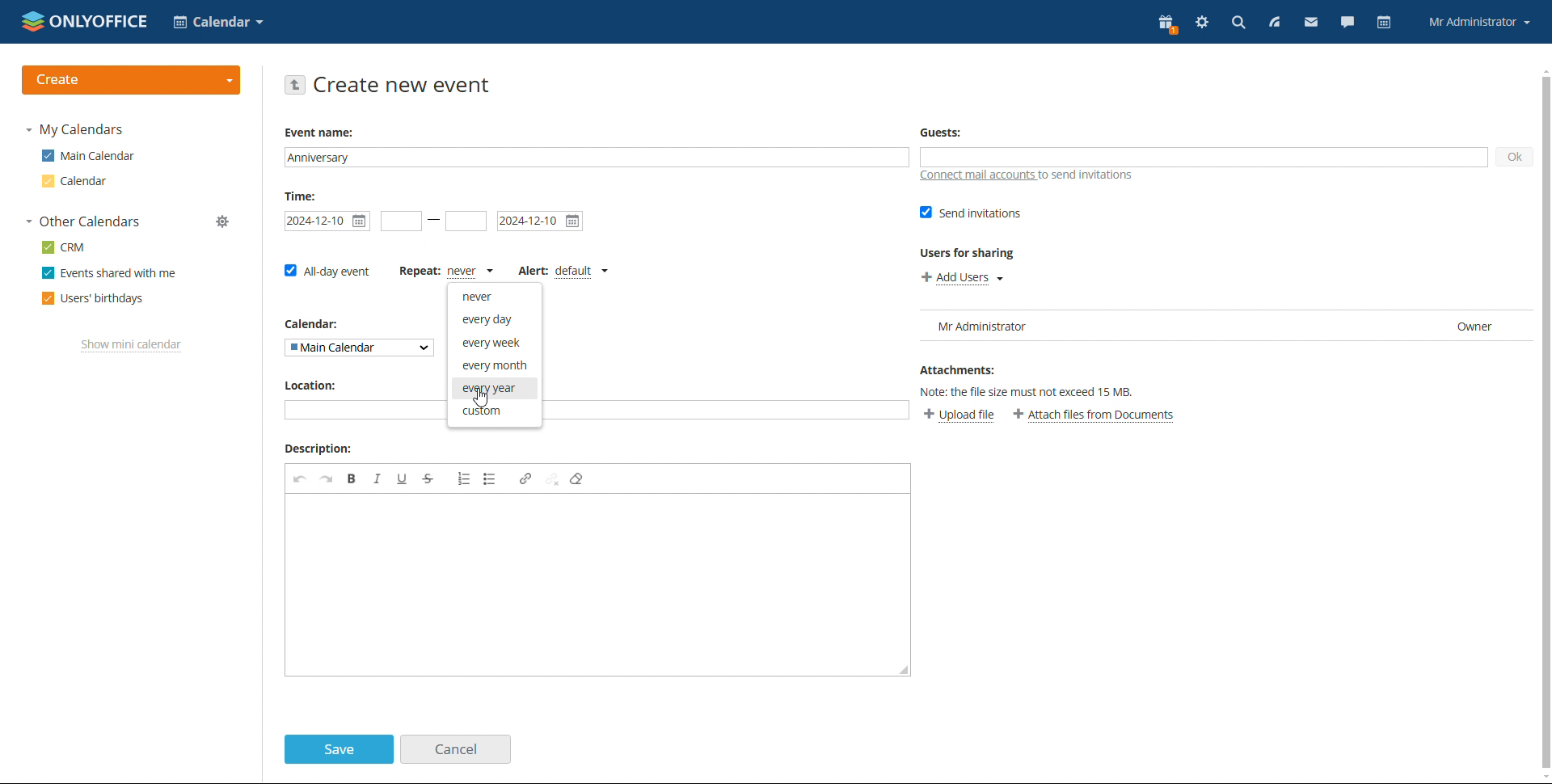 The height and width of the screenshot is (784, 1552). What do you see at coordinates (493, 366) in the screenshot?
I see `every month` at bounding box center [493, 366].